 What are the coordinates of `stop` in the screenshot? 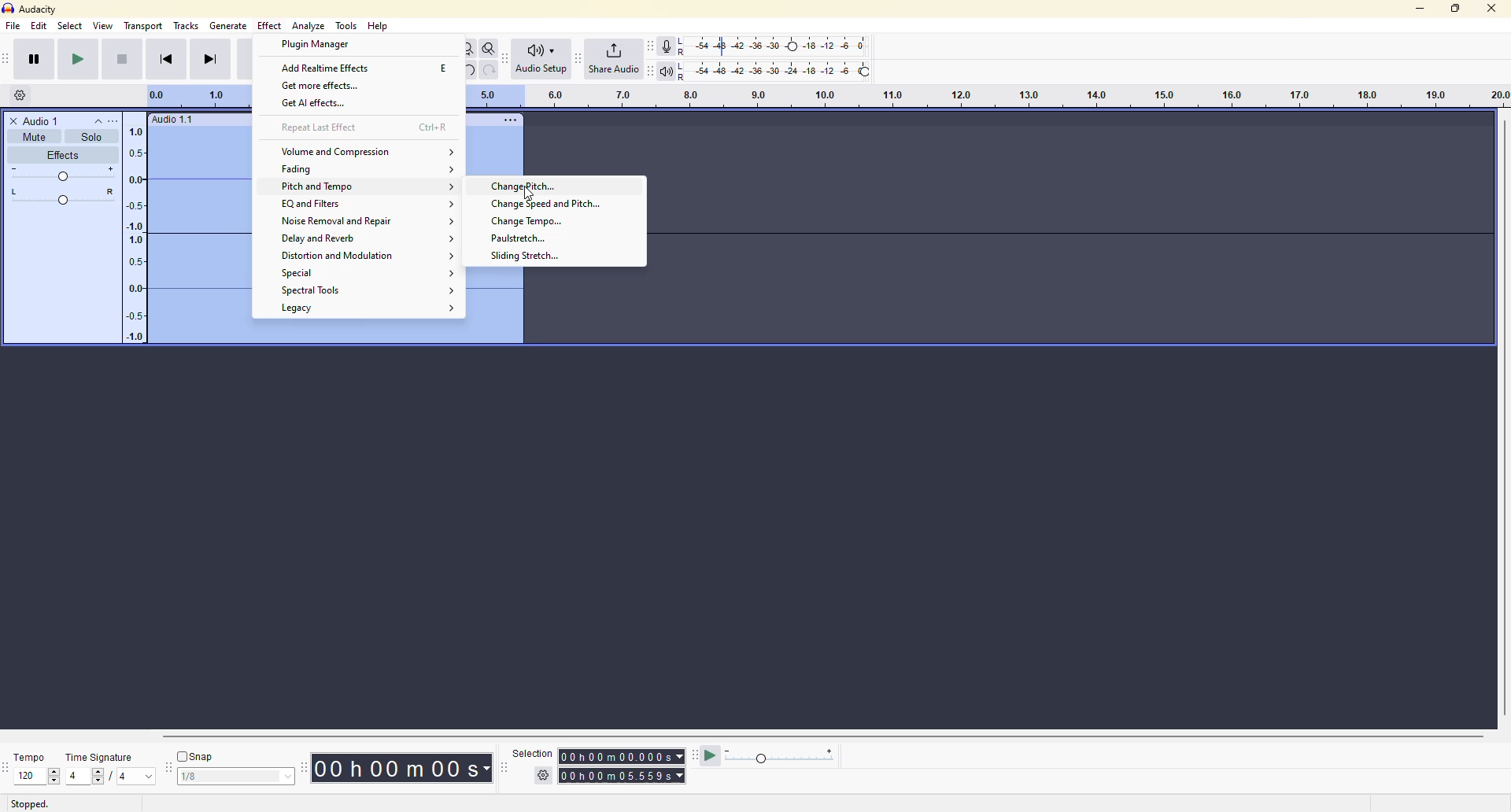 It's located at (120, 59).